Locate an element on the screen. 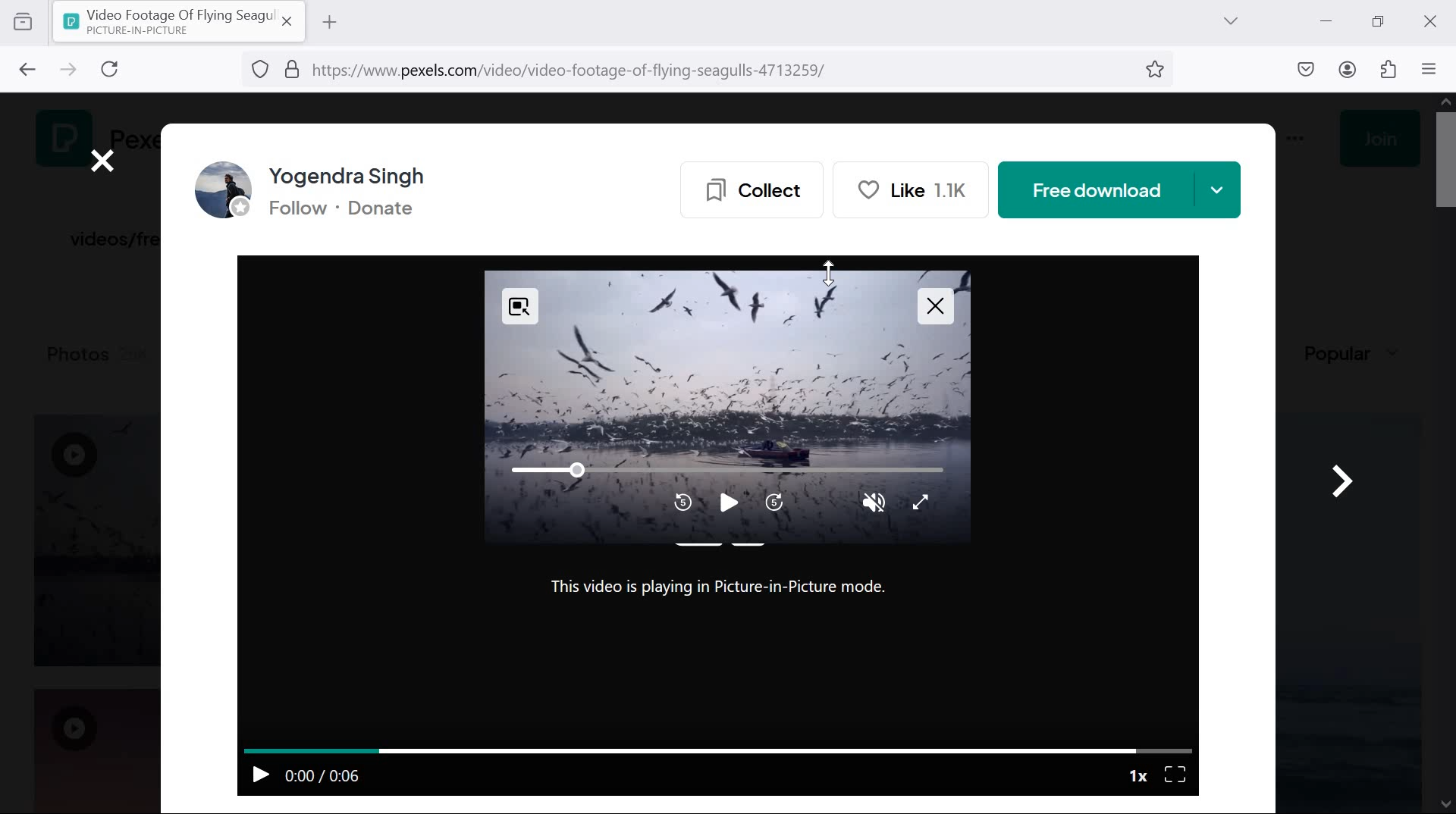 The width and height of the screenshot is (1456, 814). restore down is located at coordinates (1379, 21).